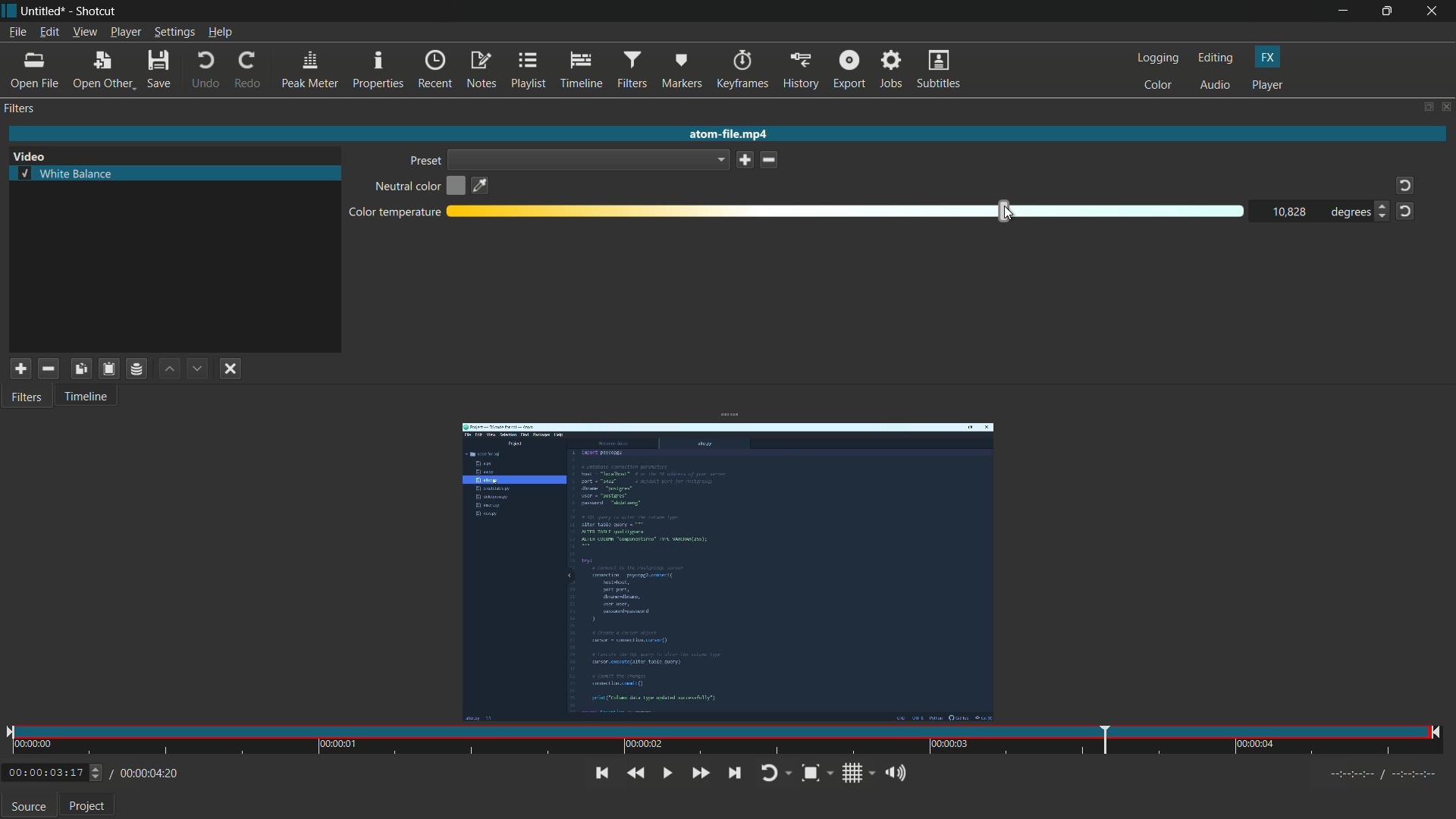 The image size is (1456, 819). I want to click on 0:00:03:17 (current time), so click(53, 770).